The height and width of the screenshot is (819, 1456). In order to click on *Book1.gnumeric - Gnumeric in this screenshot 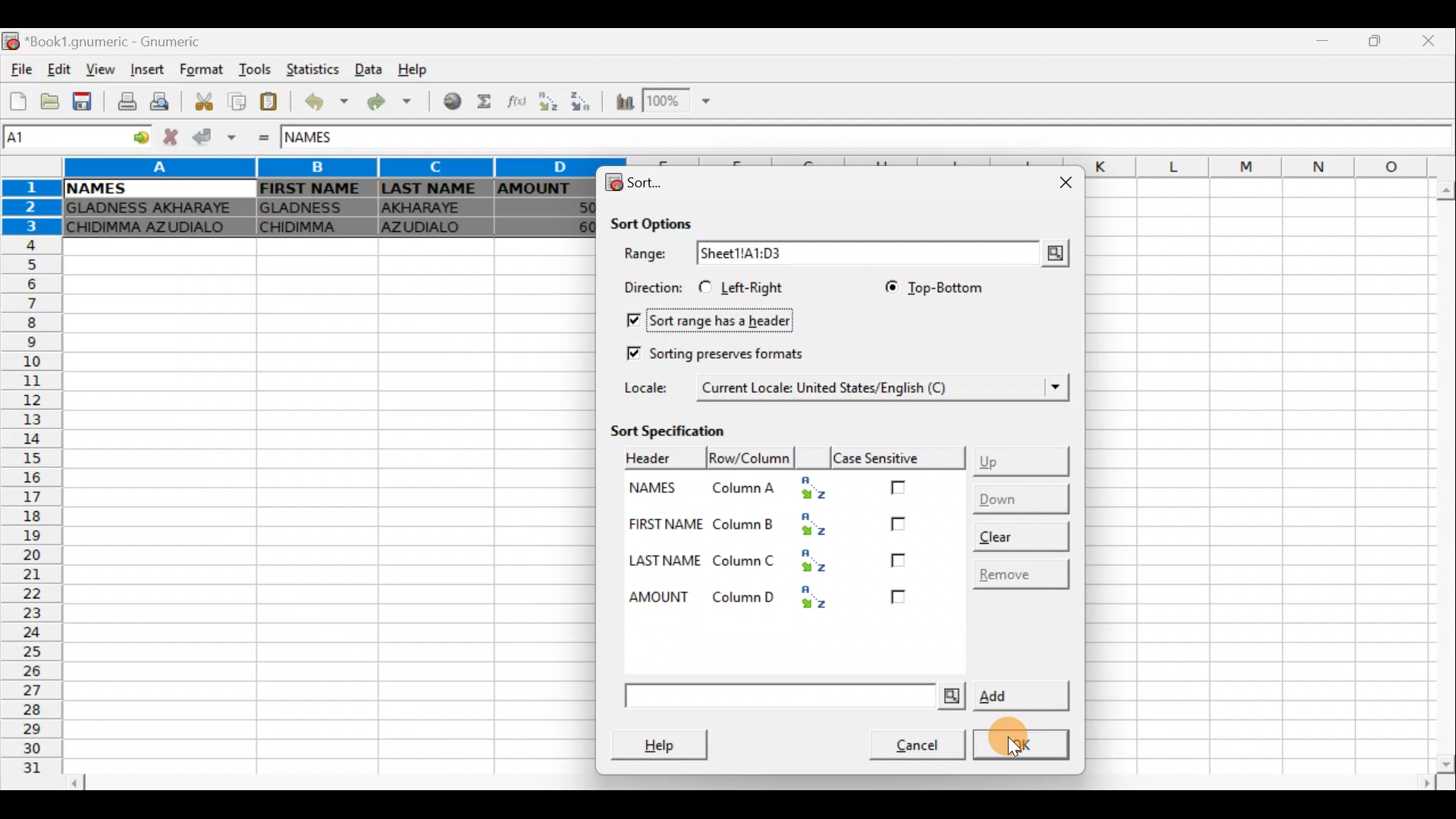, I will do `click(122, 42)`.